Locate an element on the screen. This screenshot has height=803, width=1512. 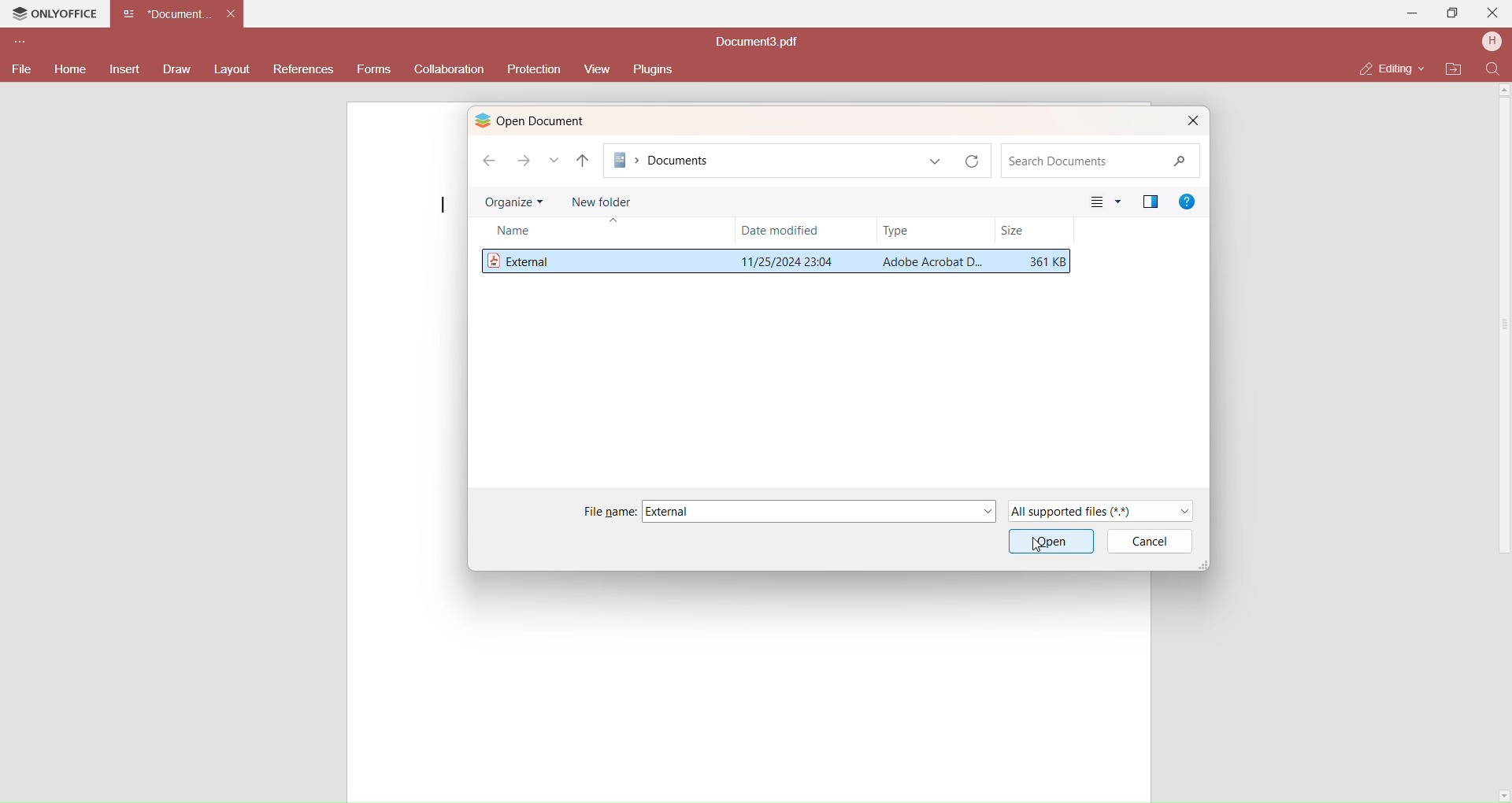
previous location is located at coordinates (936, 161).